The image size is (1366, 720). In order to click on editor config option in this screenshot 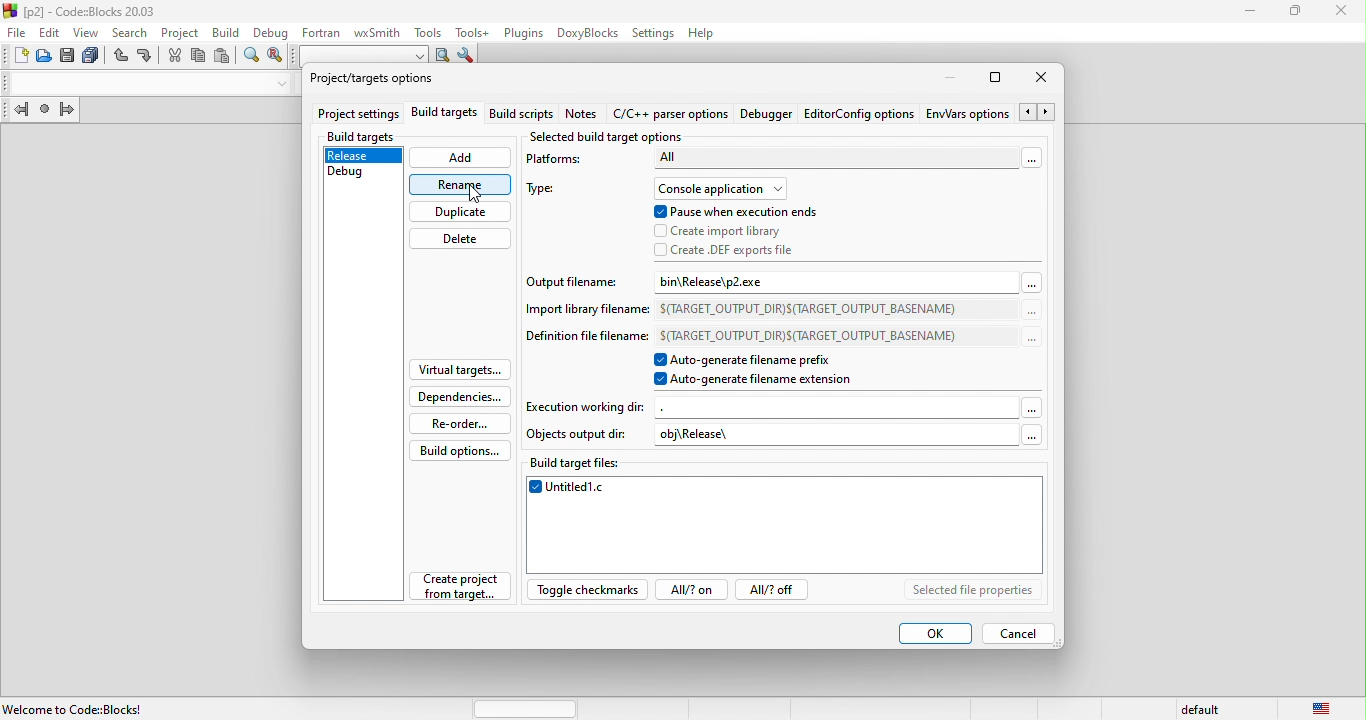, I will do `click(858, 114)`.